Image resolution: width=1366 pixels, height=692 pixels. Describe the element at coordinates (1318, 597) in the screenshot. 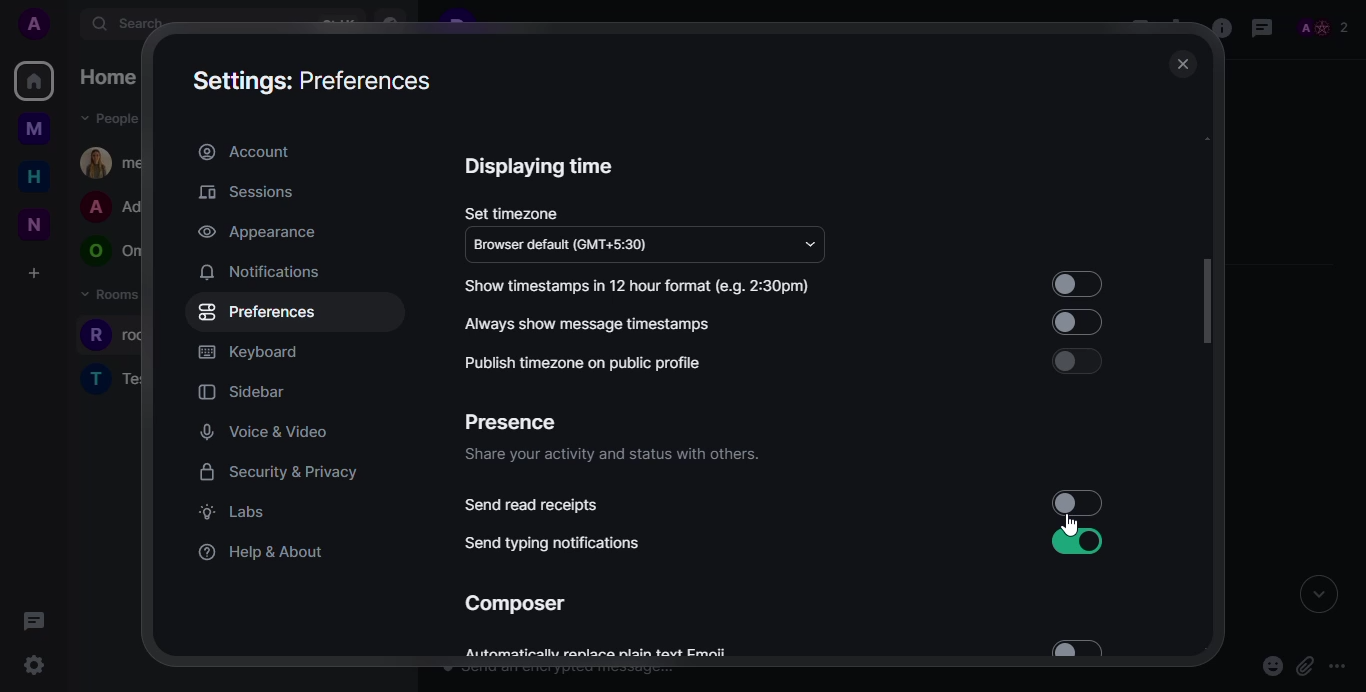

I see `expand` at that location.